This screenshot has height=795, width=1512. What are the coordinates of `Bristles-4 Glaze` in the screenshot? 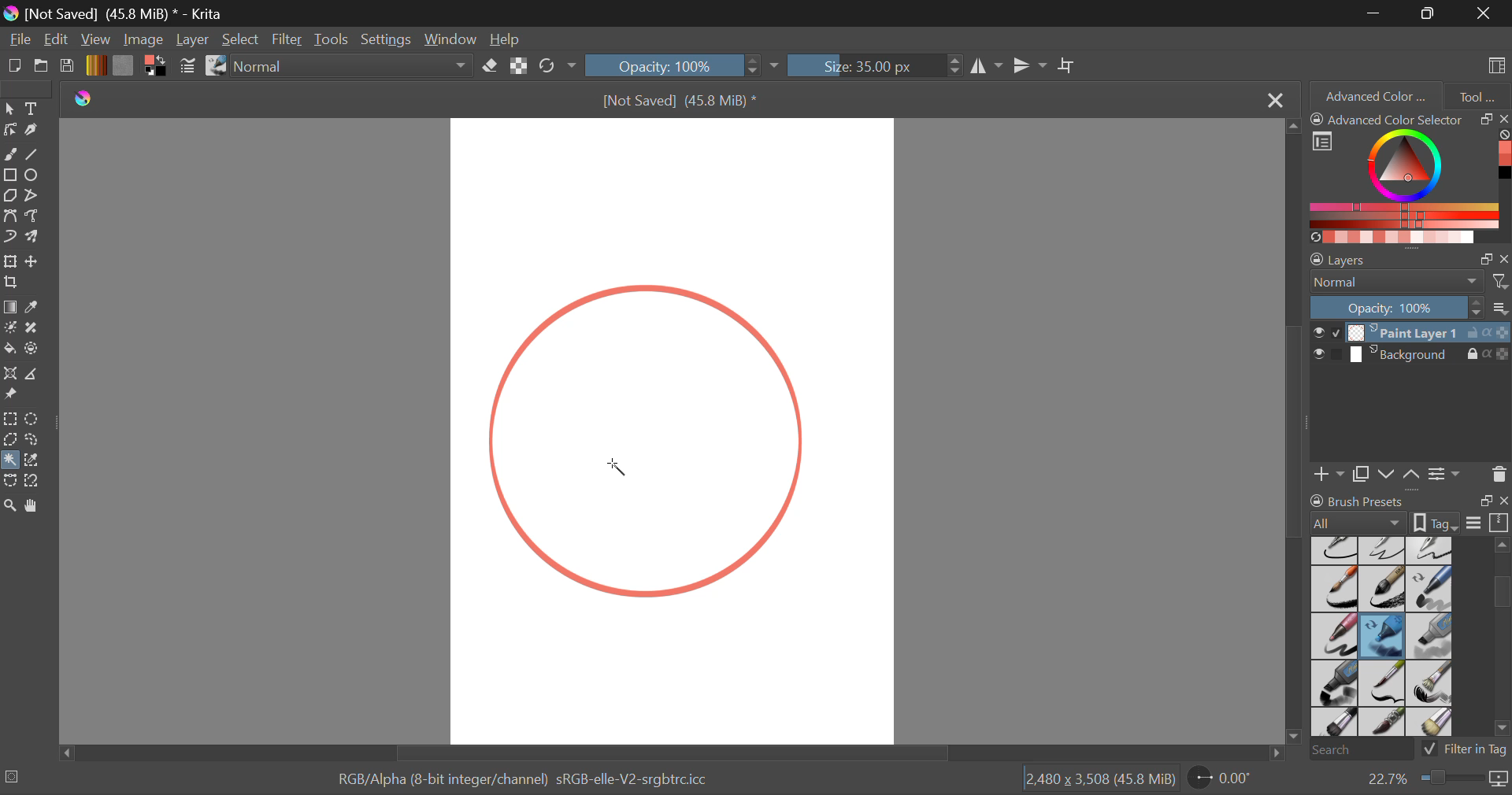 It's located at (1384, 723).